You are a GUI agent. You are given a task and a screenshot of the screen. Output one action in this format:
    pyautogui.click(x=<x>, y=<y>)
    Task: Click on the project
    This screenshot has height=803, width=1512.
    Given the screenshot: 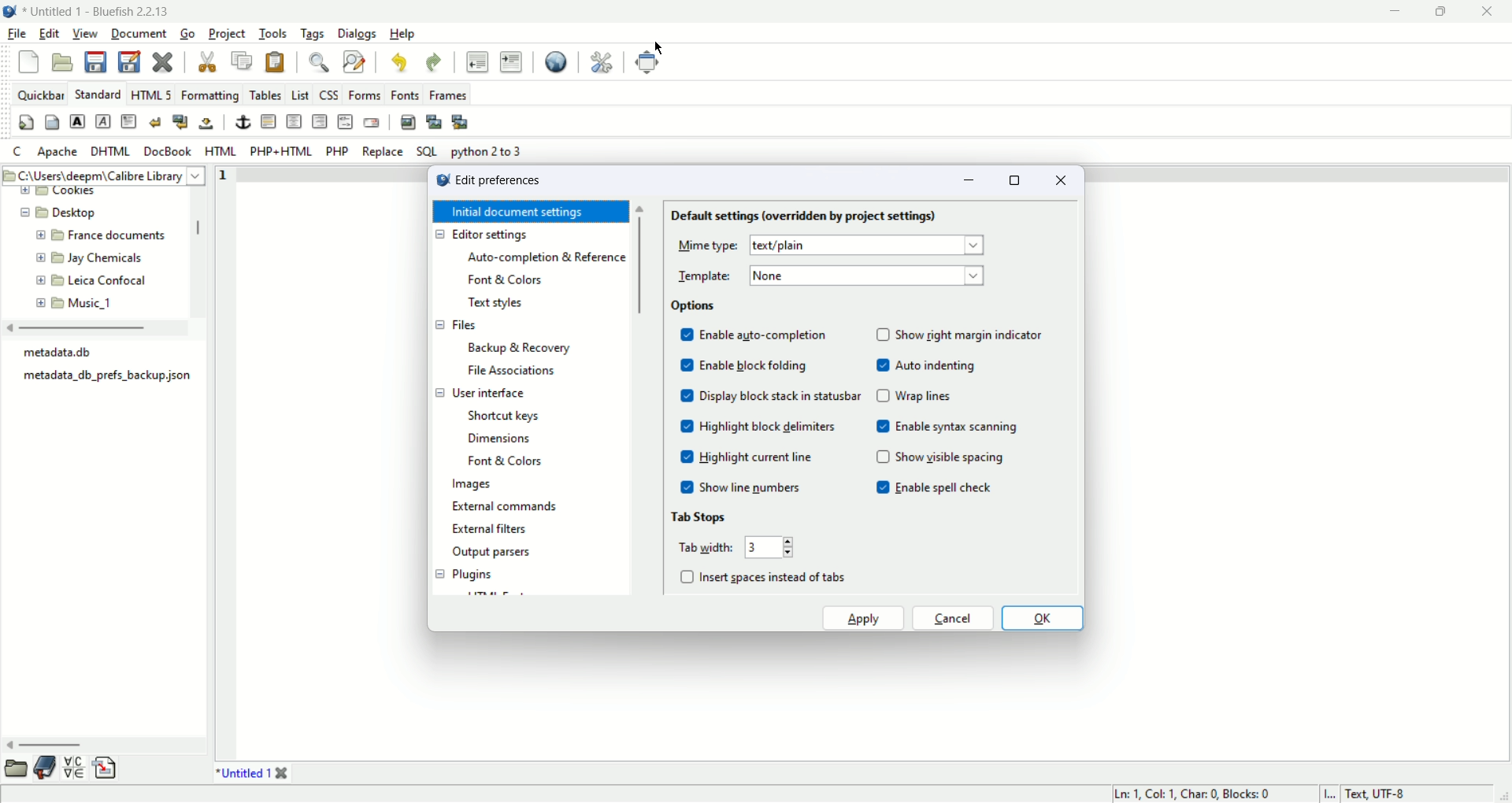 What is the action you would take?
    pyautogui.click(x=228, y=33)
    